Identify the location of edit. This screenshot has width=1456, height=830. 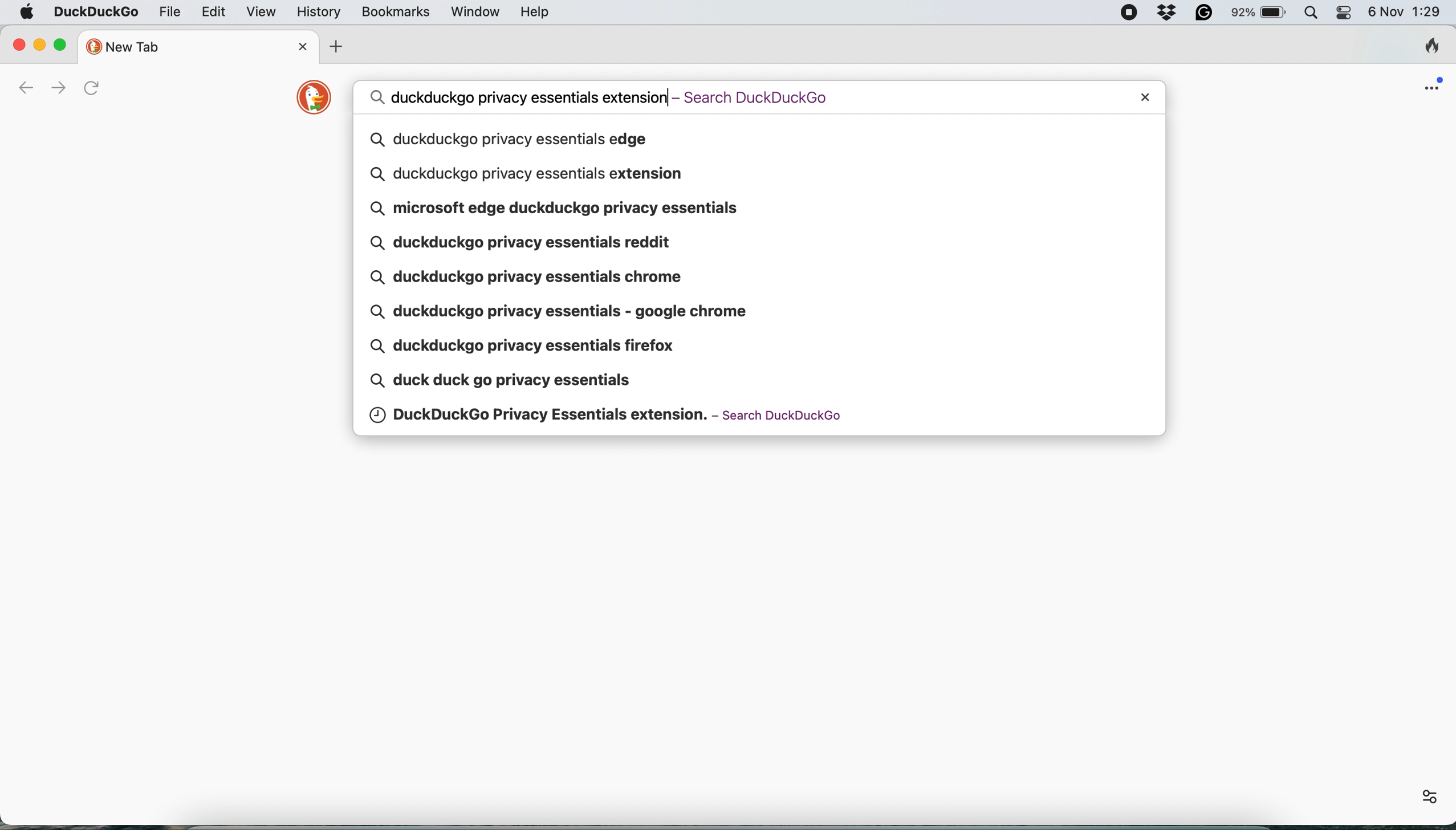
(213, 13).